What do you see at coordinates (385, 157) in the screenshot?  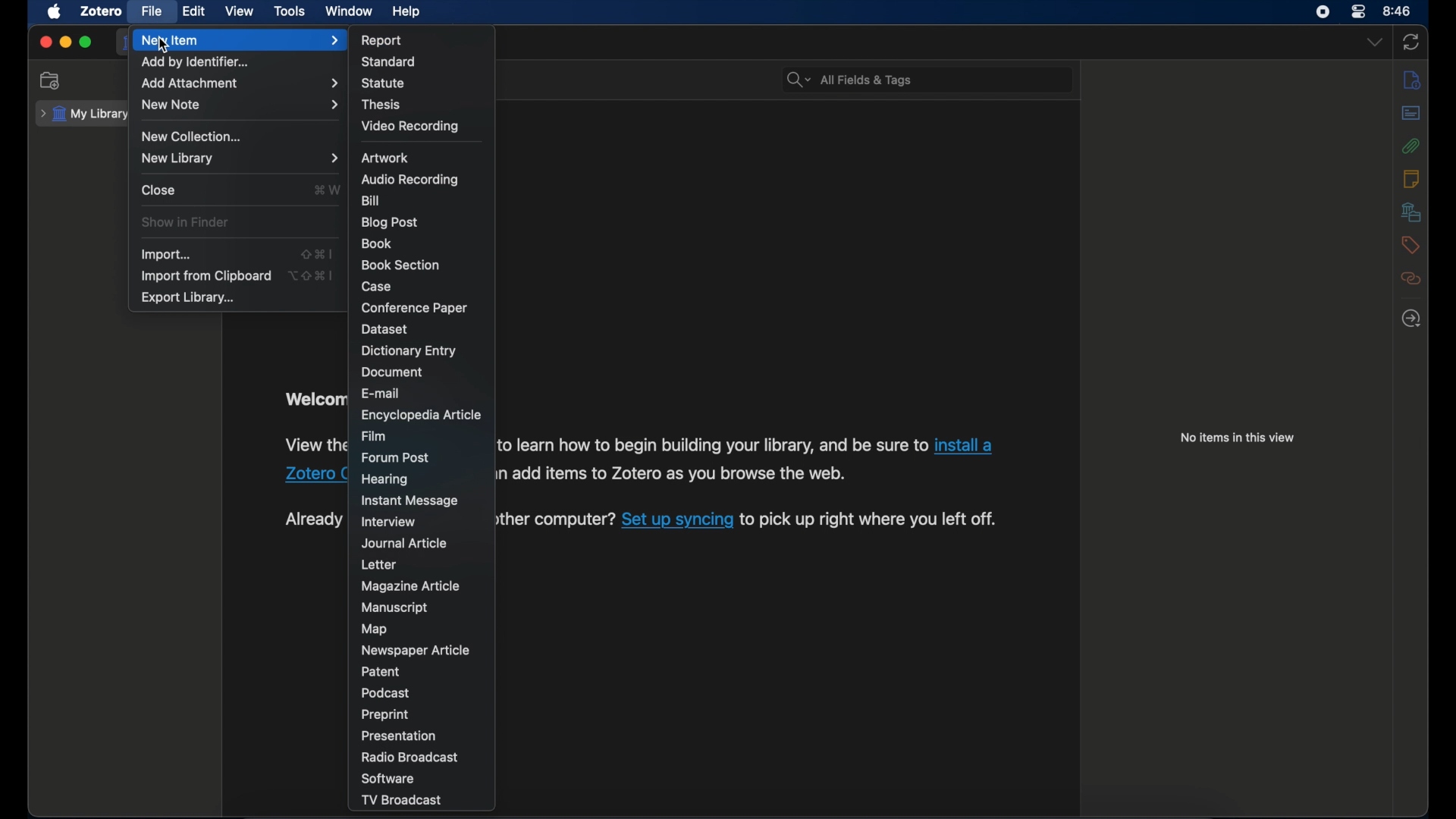 I see `artwork` at bounding box center [385, 157].